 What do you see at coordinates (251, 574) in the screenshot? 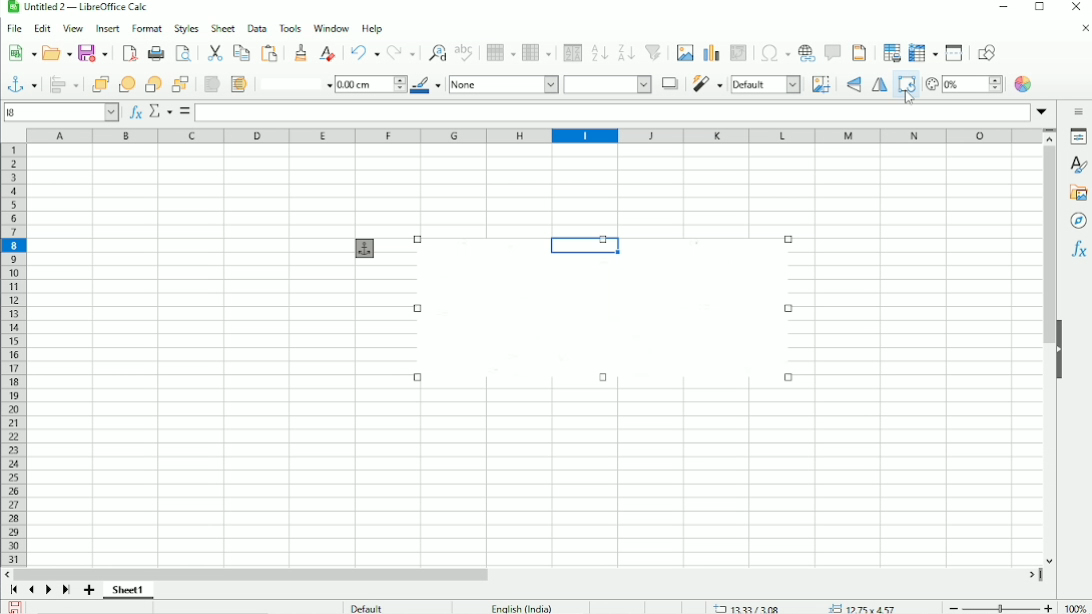
I see `Horizontal scrollbar` at bounding box center [251, 574].